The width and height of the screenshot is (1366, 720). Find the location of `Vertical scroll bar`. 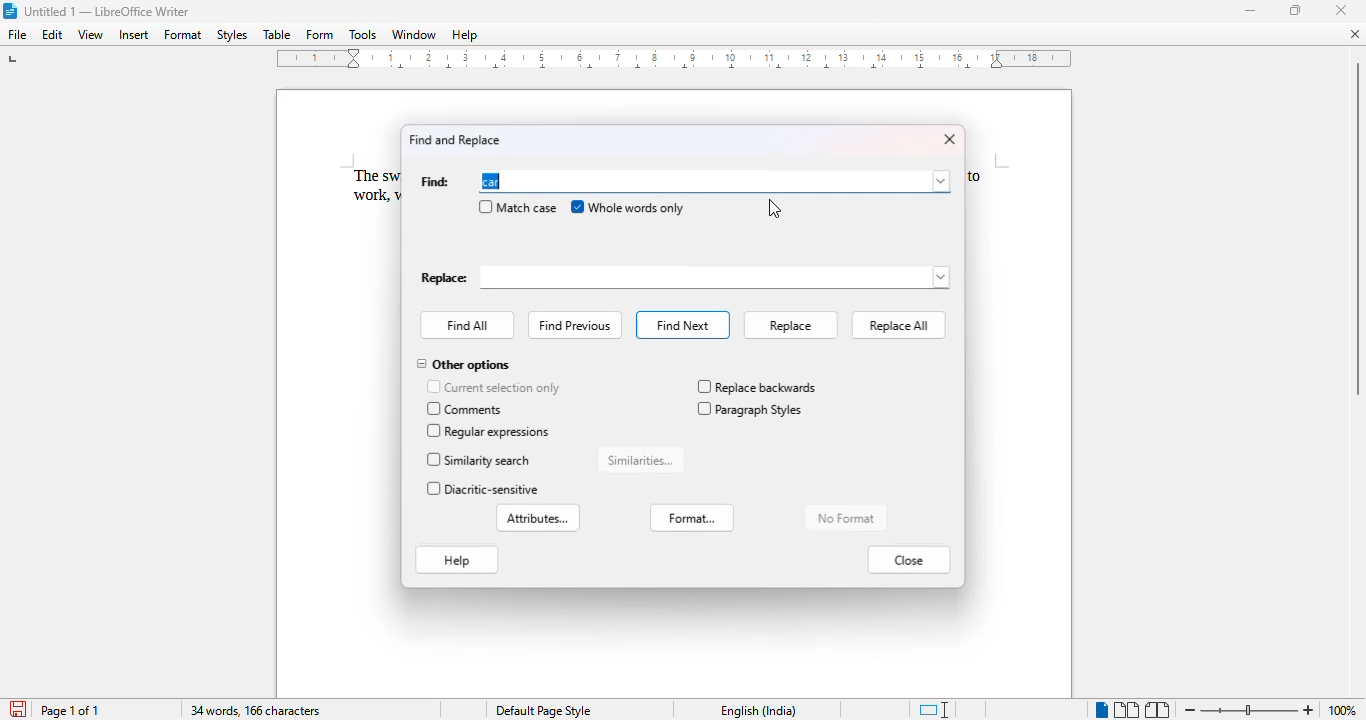

Vertical scroll bar is located at coordinates (1357, 227).